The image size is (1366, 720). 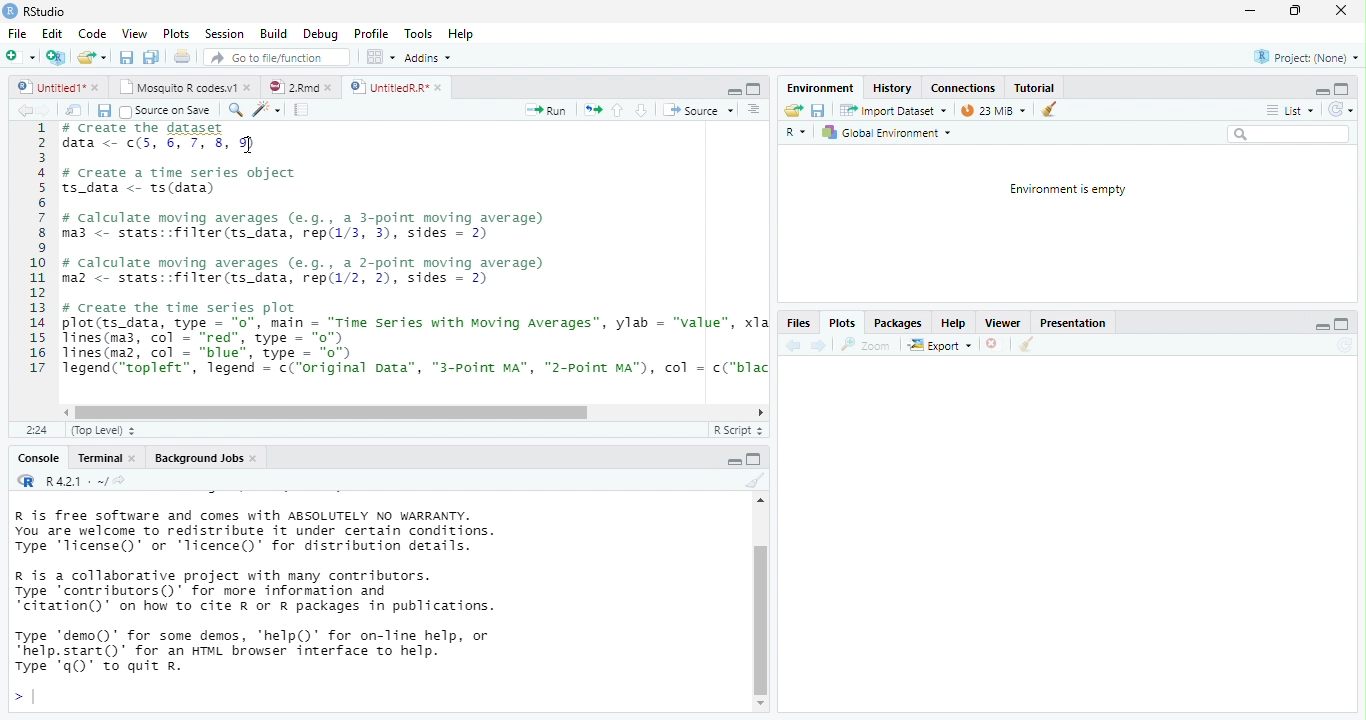 What do you see at coordinates (92, 58) in the screenshot?
I see `open an existing file` at bounding box center [92, 58].